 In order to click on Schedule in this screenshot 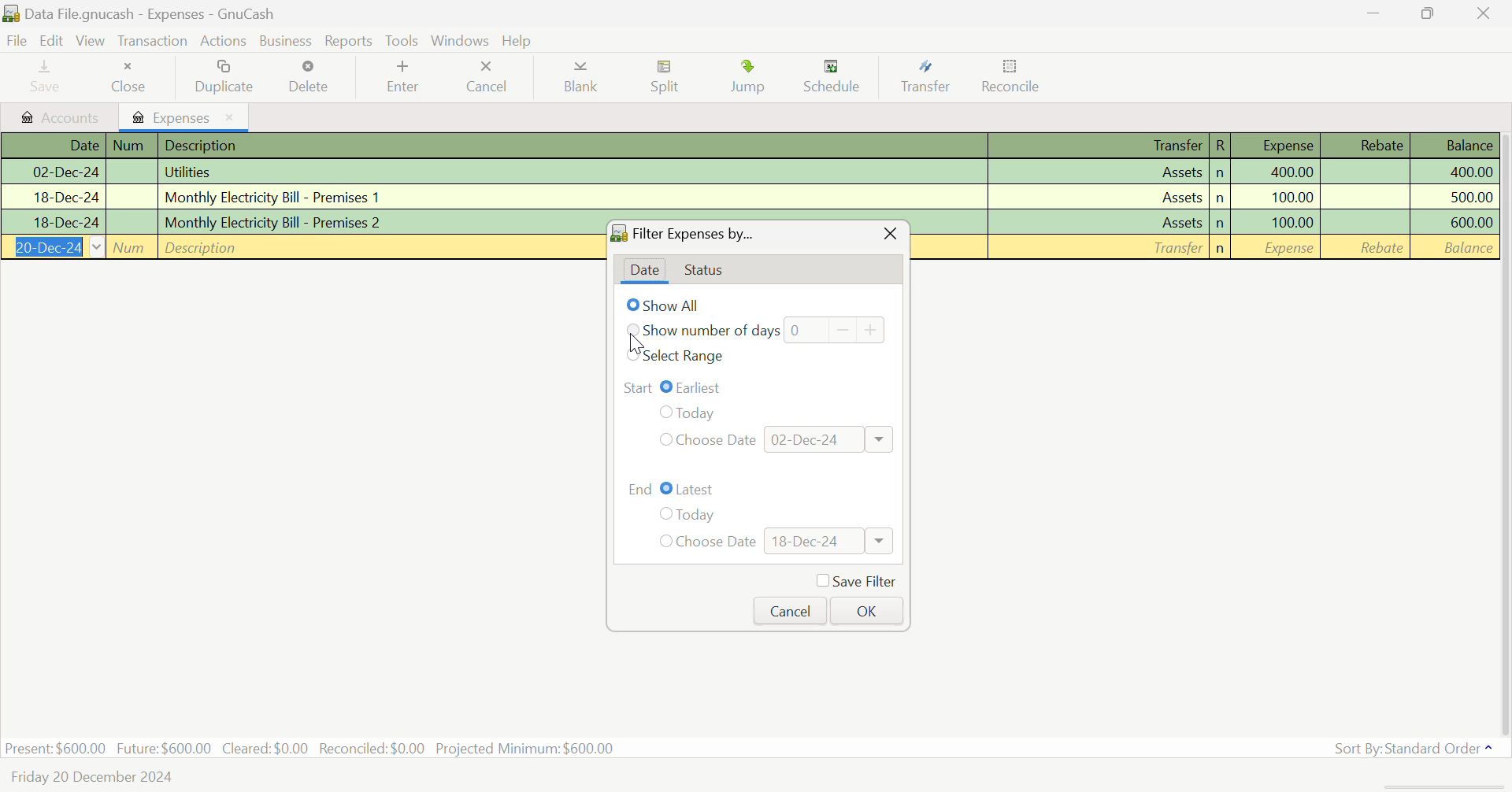, I will do `click(839, 79)`.